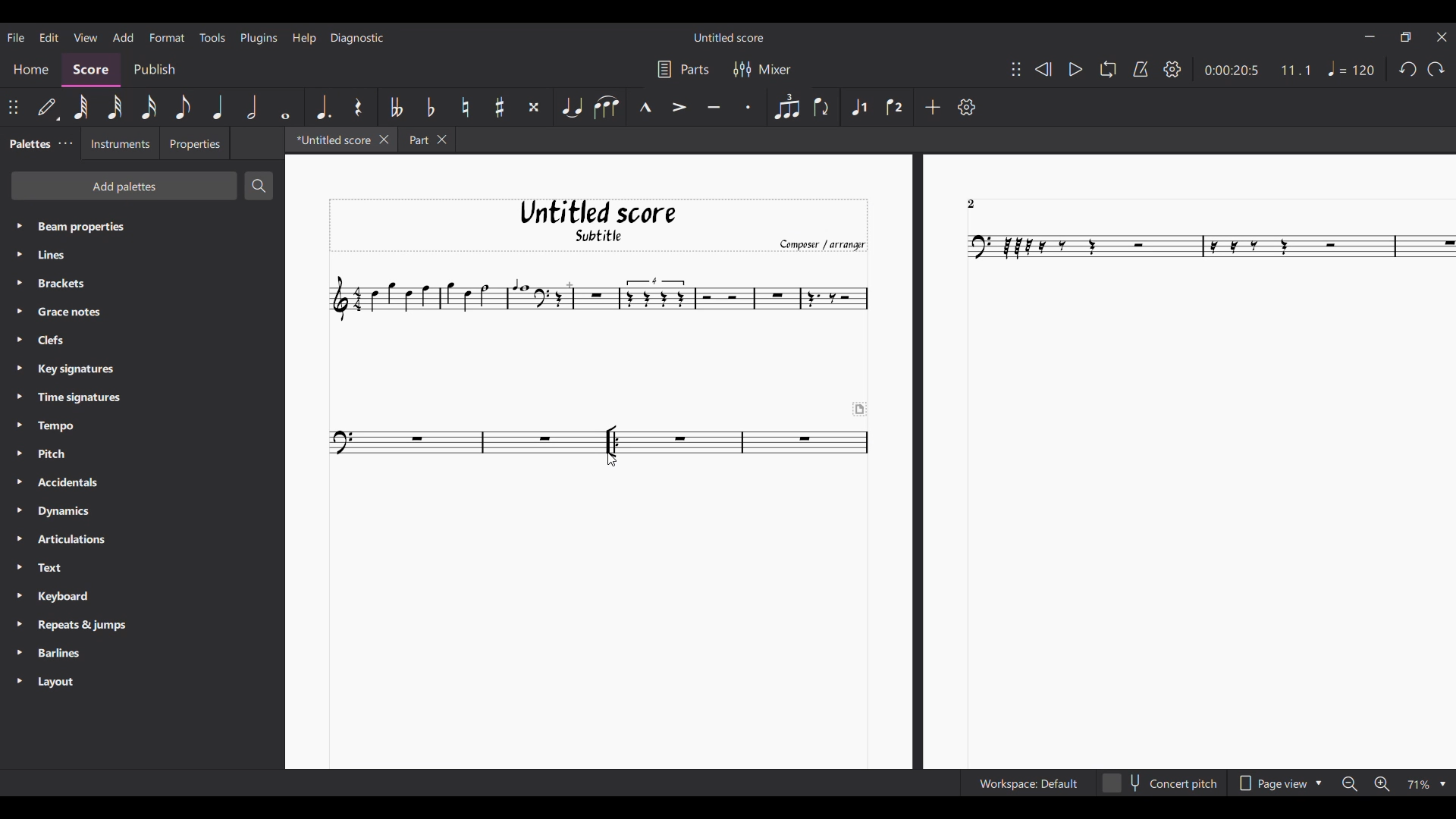 The height and width of the screenshot is (819, 1456). Describe the element at coordinates (871, 460) in the screenshot. I see `Current score` at that location.